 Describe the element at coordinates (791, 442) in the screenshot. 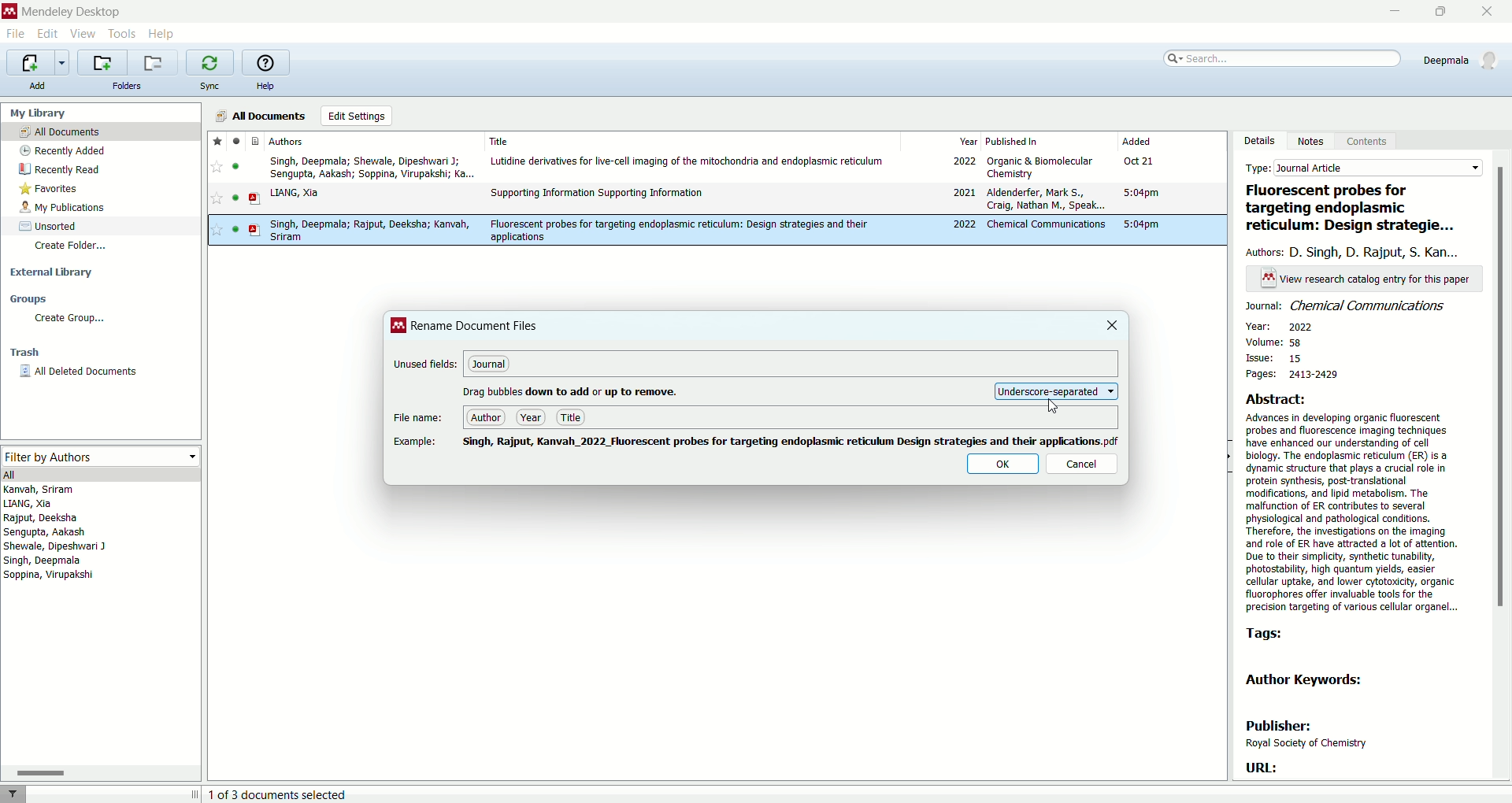

I see `PDF name` at that location.